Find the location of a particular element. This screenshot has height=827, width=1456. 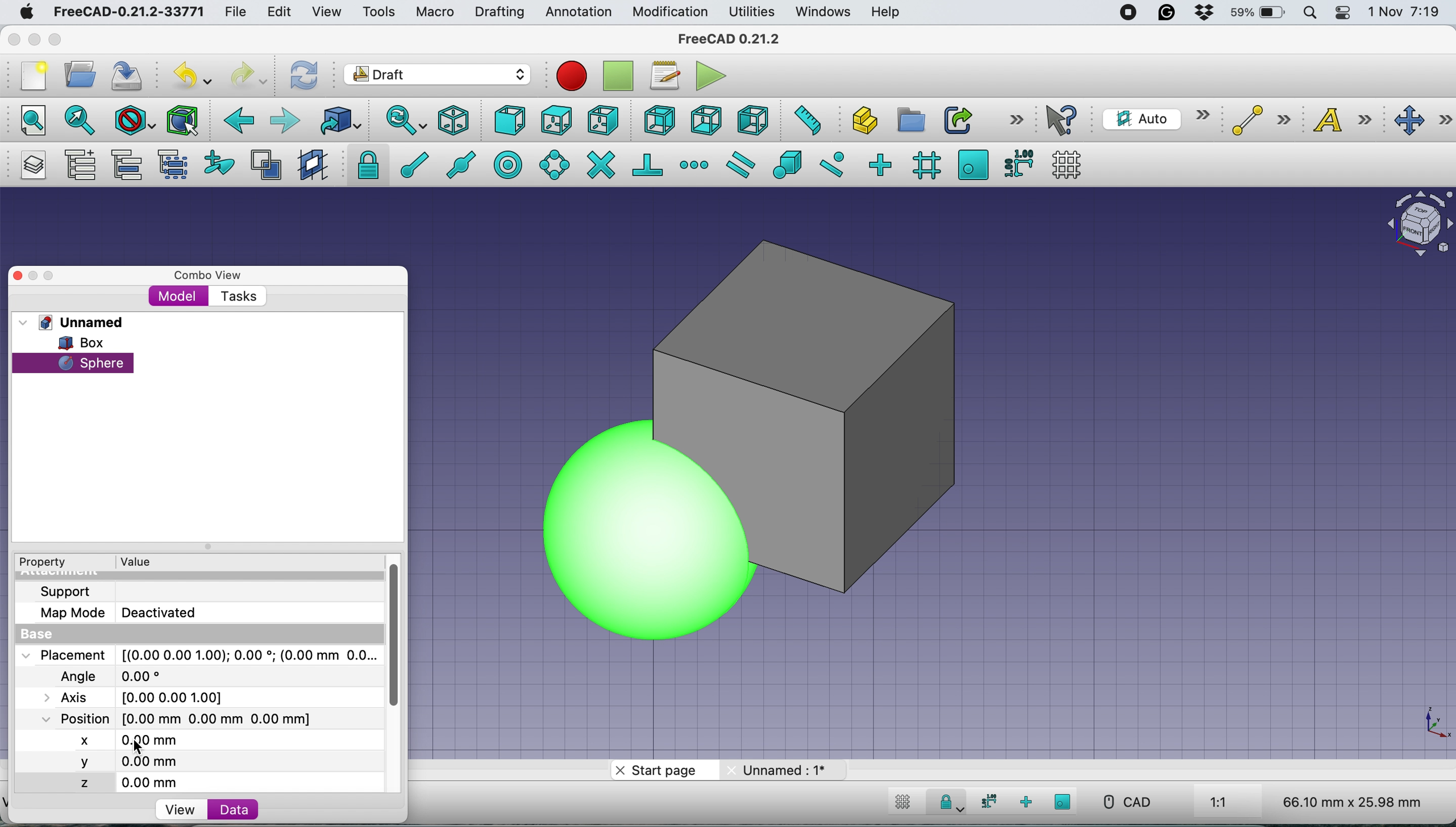

object intersection is located at coordinates (1418, 222).